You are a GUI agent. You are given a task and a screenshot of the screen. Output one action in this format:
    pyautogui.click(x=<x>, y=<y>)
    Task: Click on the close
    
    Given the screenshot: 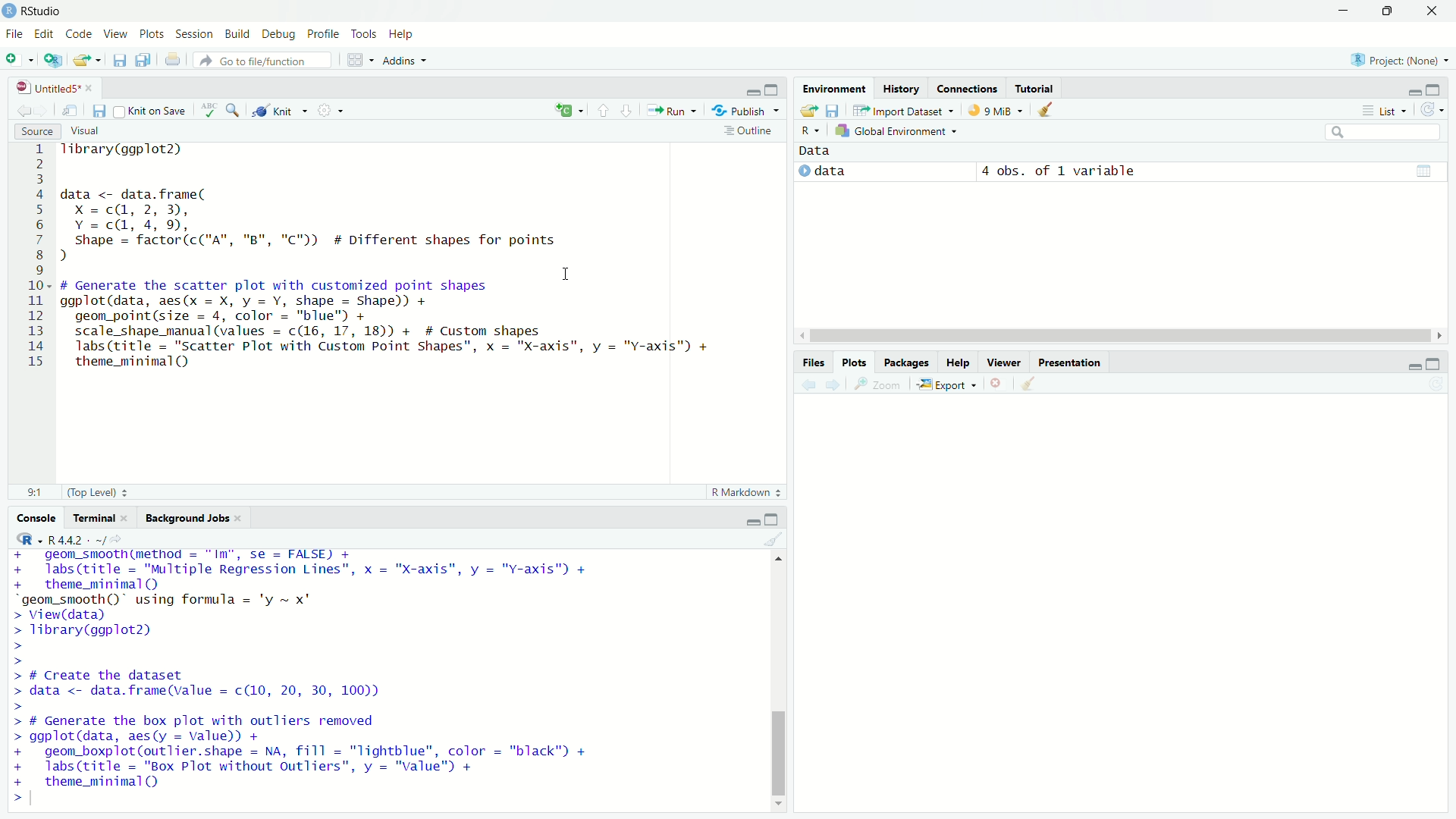 What is the action you would take?
    pyautogui.click(x=237, y=519)
    